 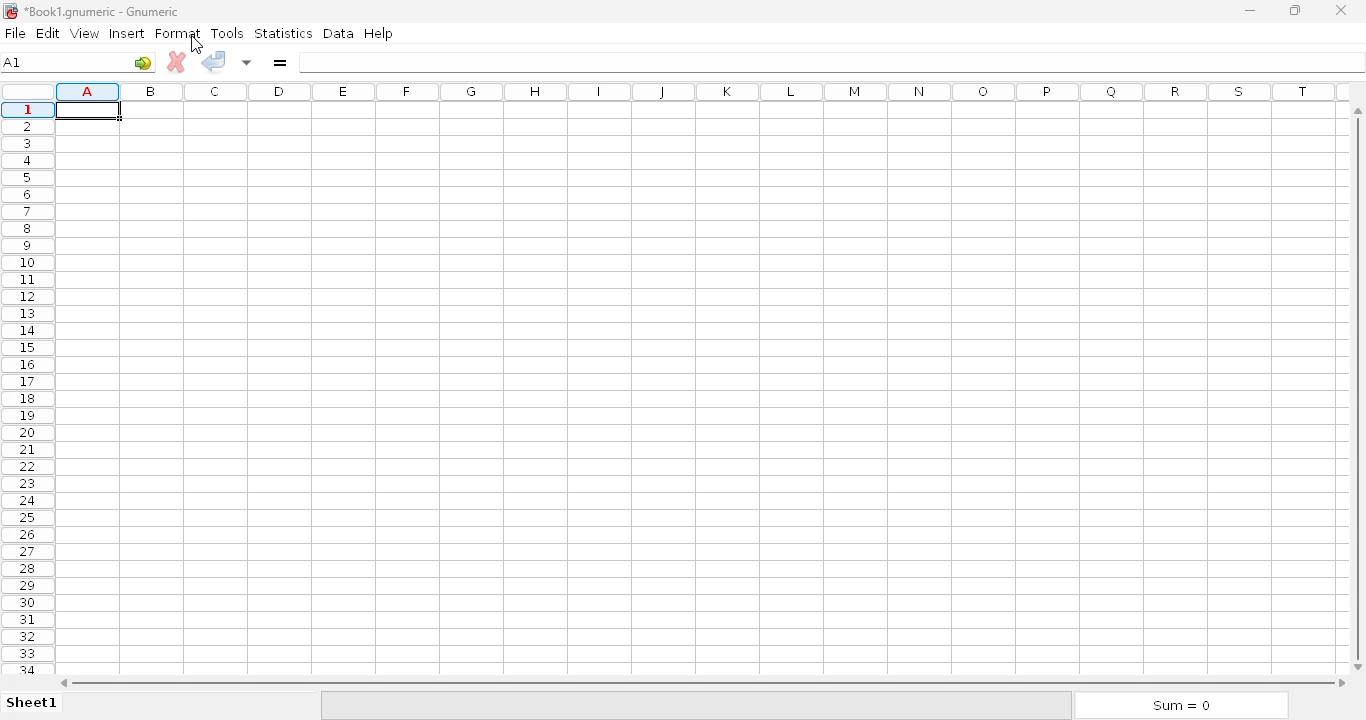 I want to click on insert, so click(x=126, y=33).